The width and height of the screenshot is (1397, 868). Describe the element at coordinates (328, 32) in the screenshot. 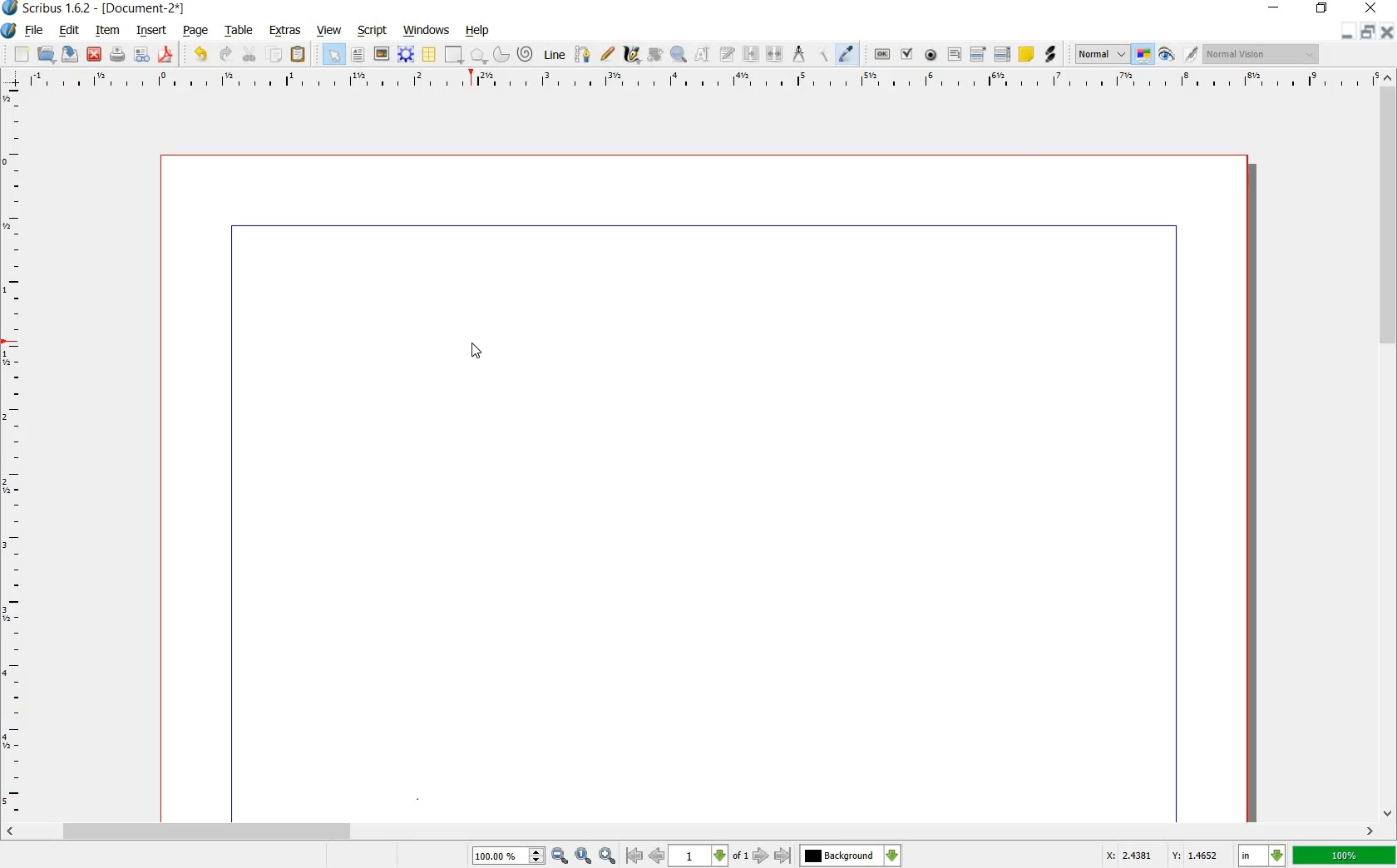

I see `VIEW` at that location.